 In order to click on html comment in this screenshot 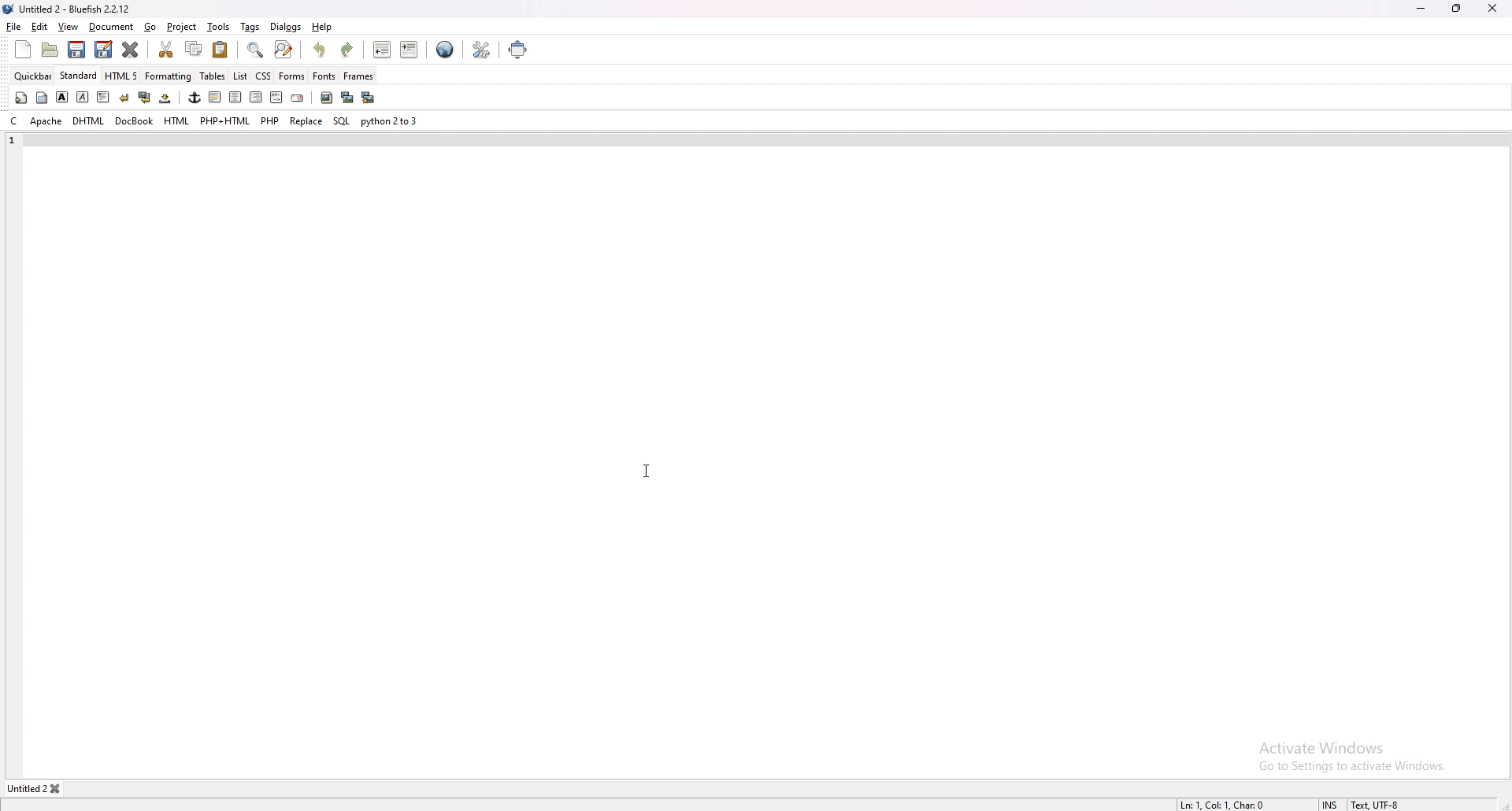, I will do `click(277, 98)`.